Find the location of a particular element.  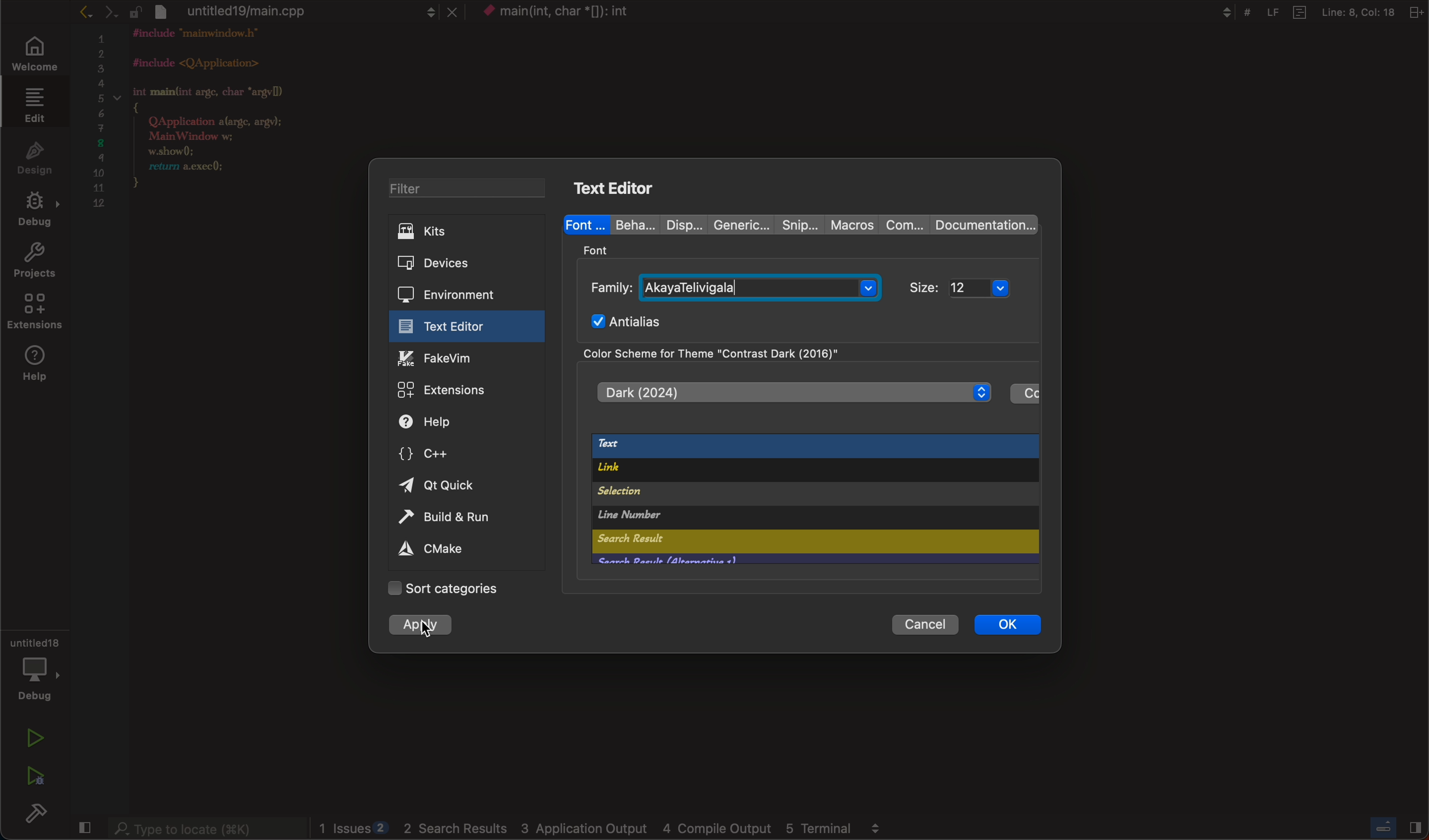

file tab is located at coordinates (310, 12).